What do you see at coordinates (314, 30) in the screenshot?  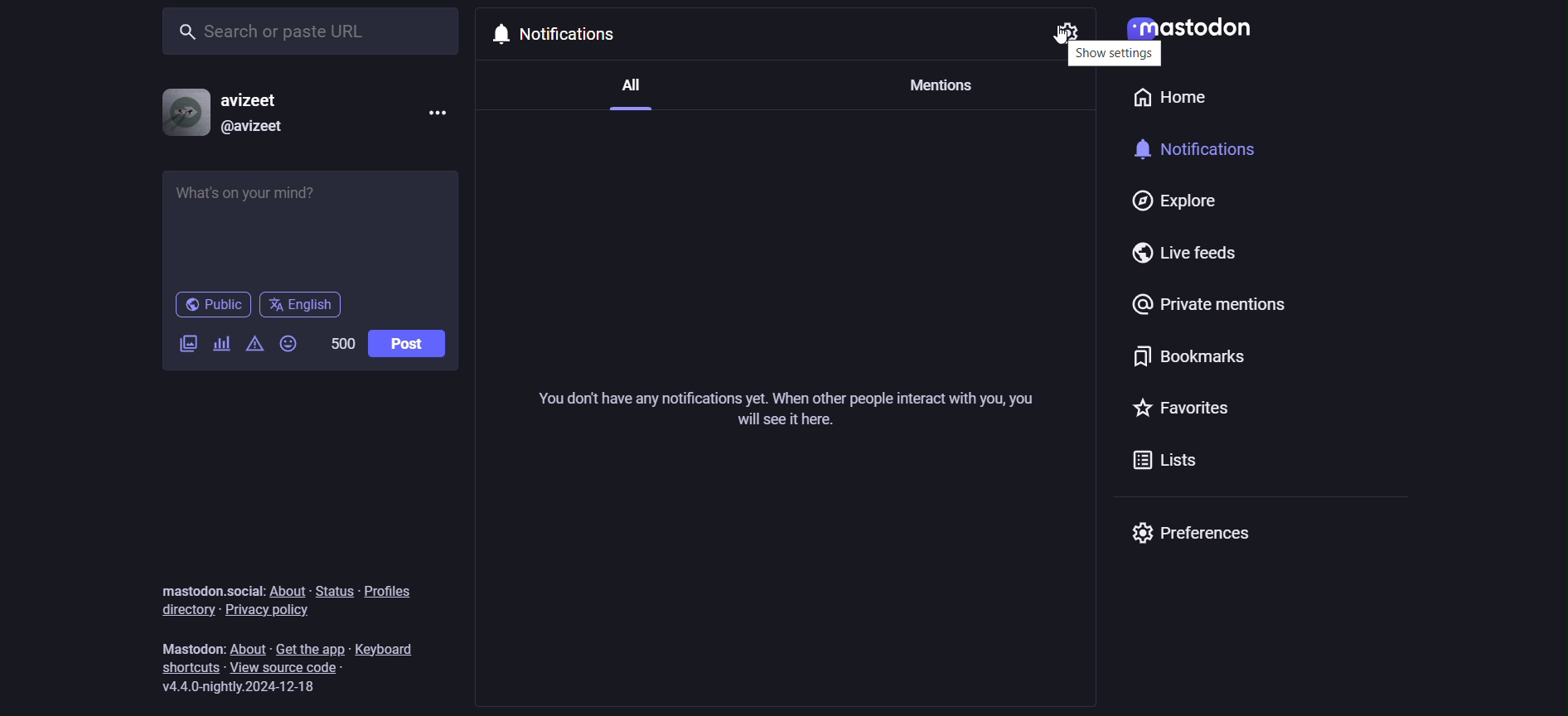 I see `search` at bounding box center [314, 30].